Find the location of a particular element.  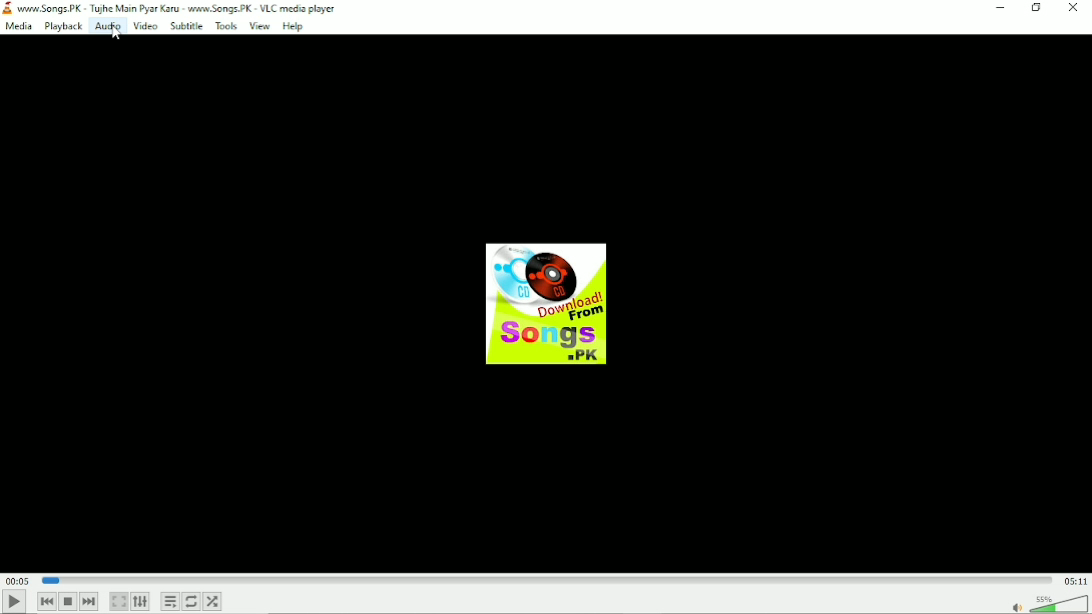

Video is located at coordinates (144, 26).